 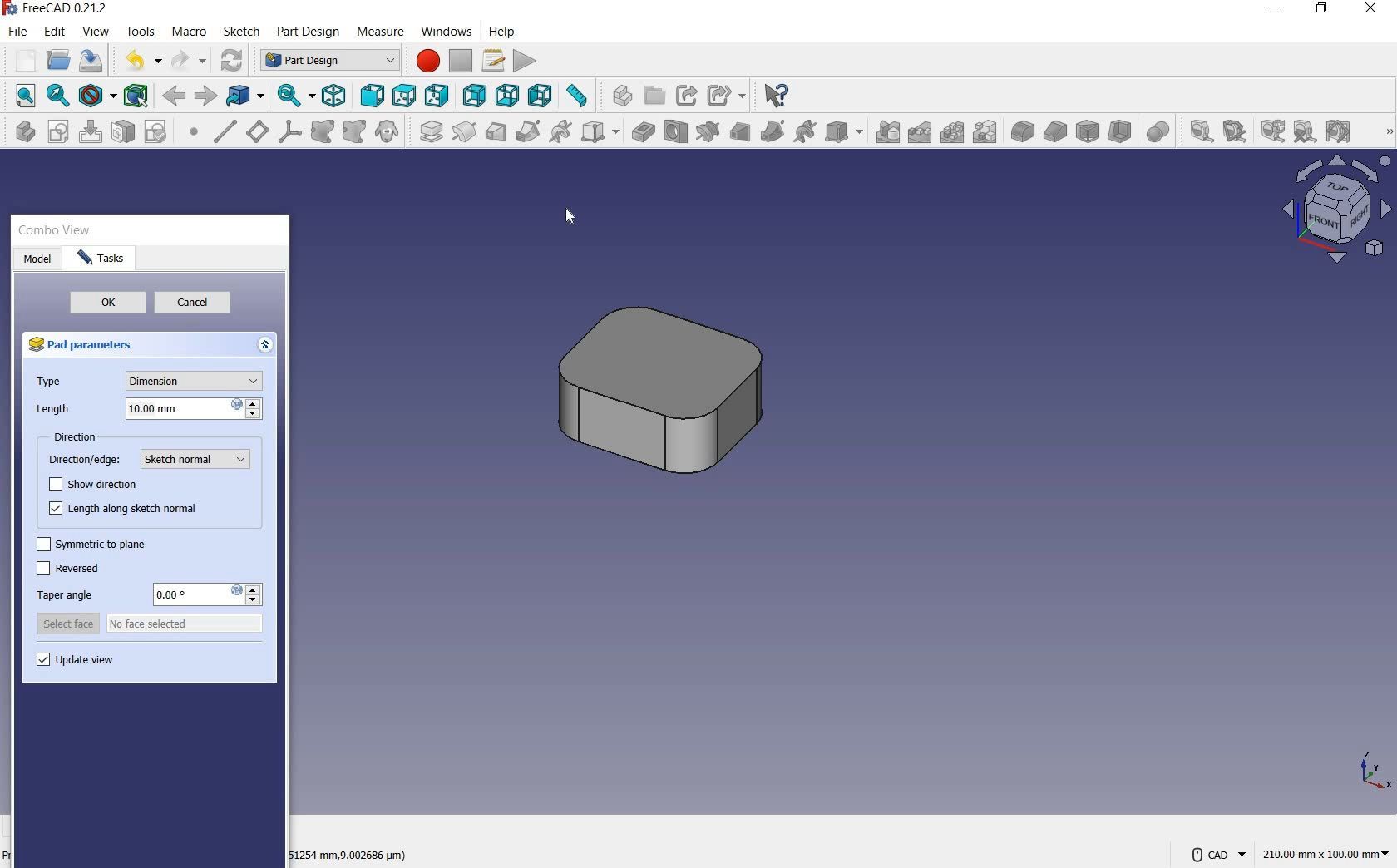 What do you see at coordinates (1377, 774) in the screenshot?
I see `xyz points` at bounding box center [1377, 774].